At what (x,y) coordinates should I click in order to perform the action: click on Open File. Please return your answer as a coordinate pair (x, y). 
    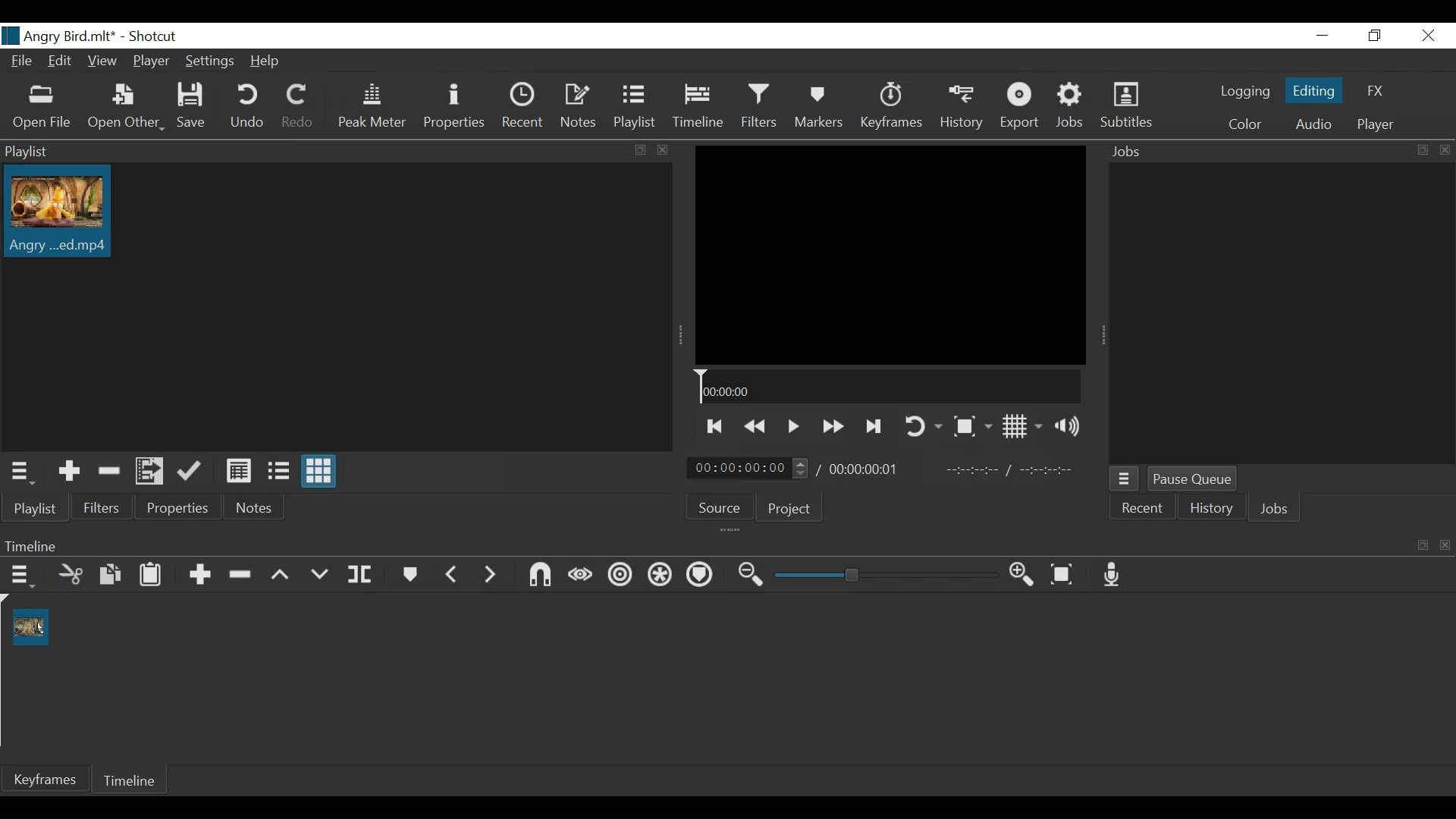
    Looking at the image, I should click on (42, 109).